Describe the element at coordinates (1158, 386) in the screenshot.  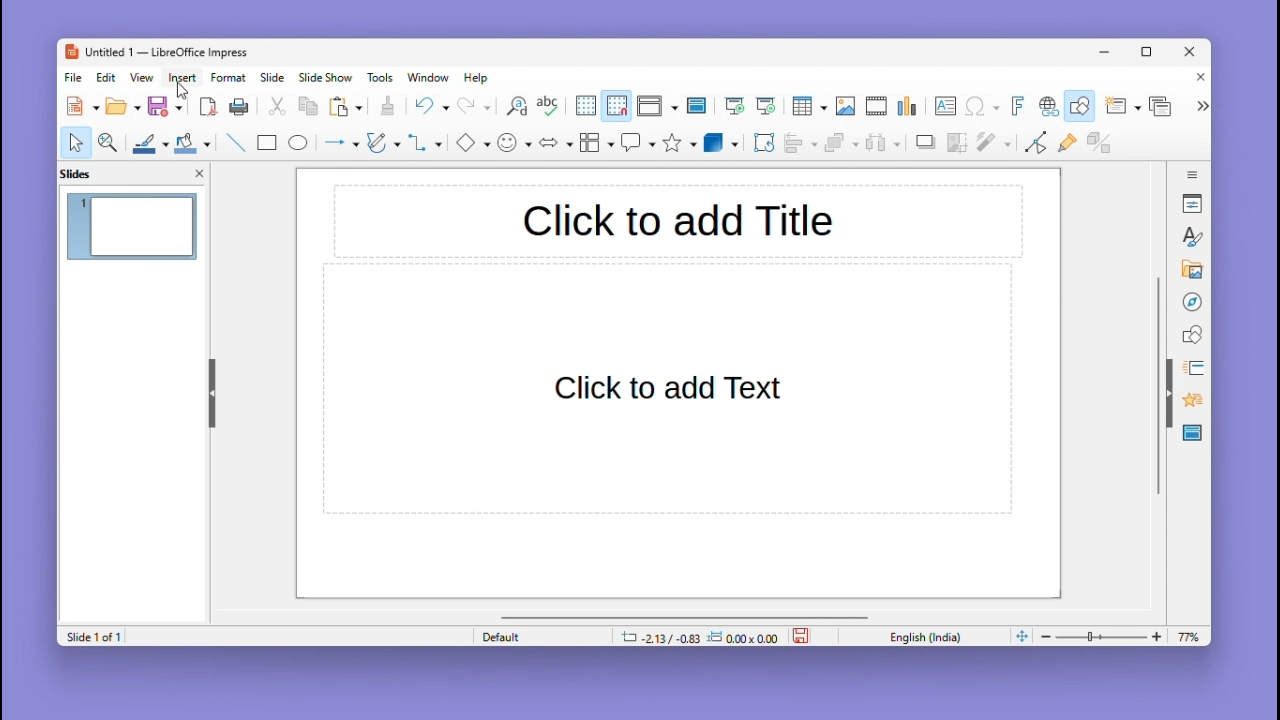
I see `Vertical scroll bar` at that location.